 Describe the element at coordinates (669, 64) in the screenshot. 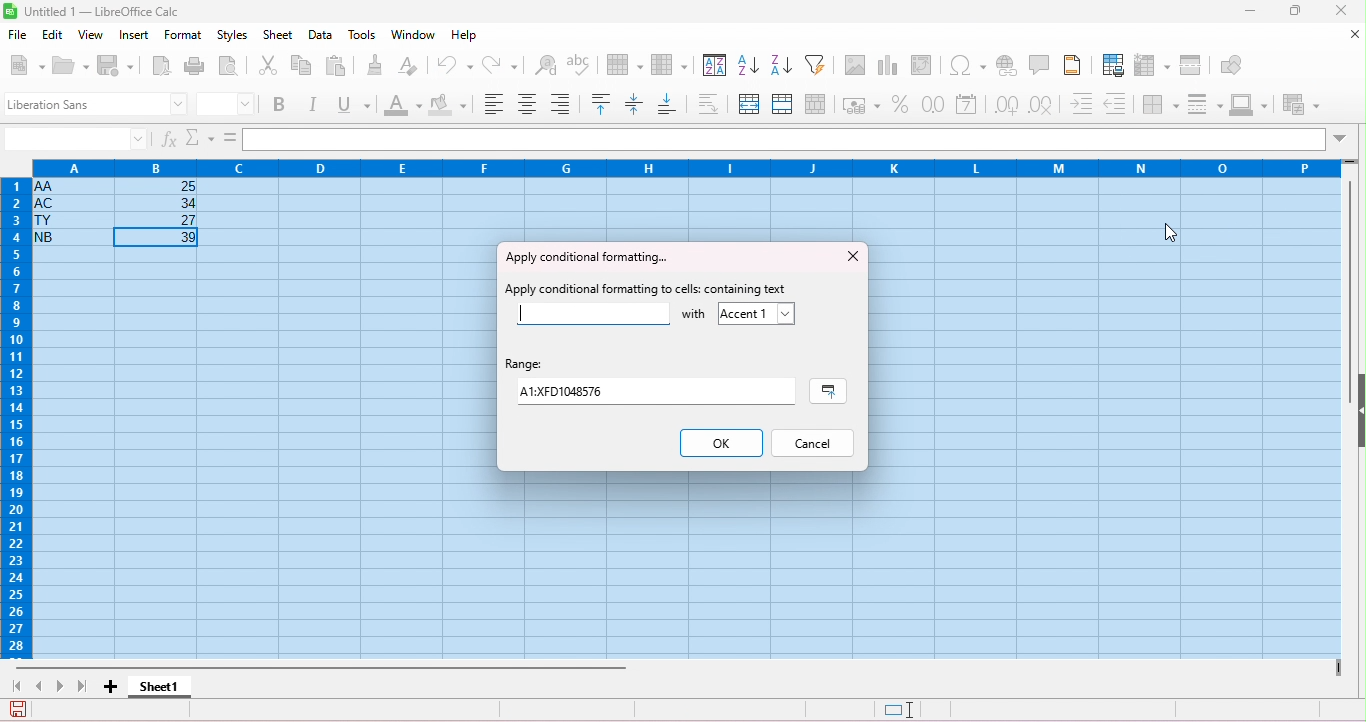

I see `column` at that location.